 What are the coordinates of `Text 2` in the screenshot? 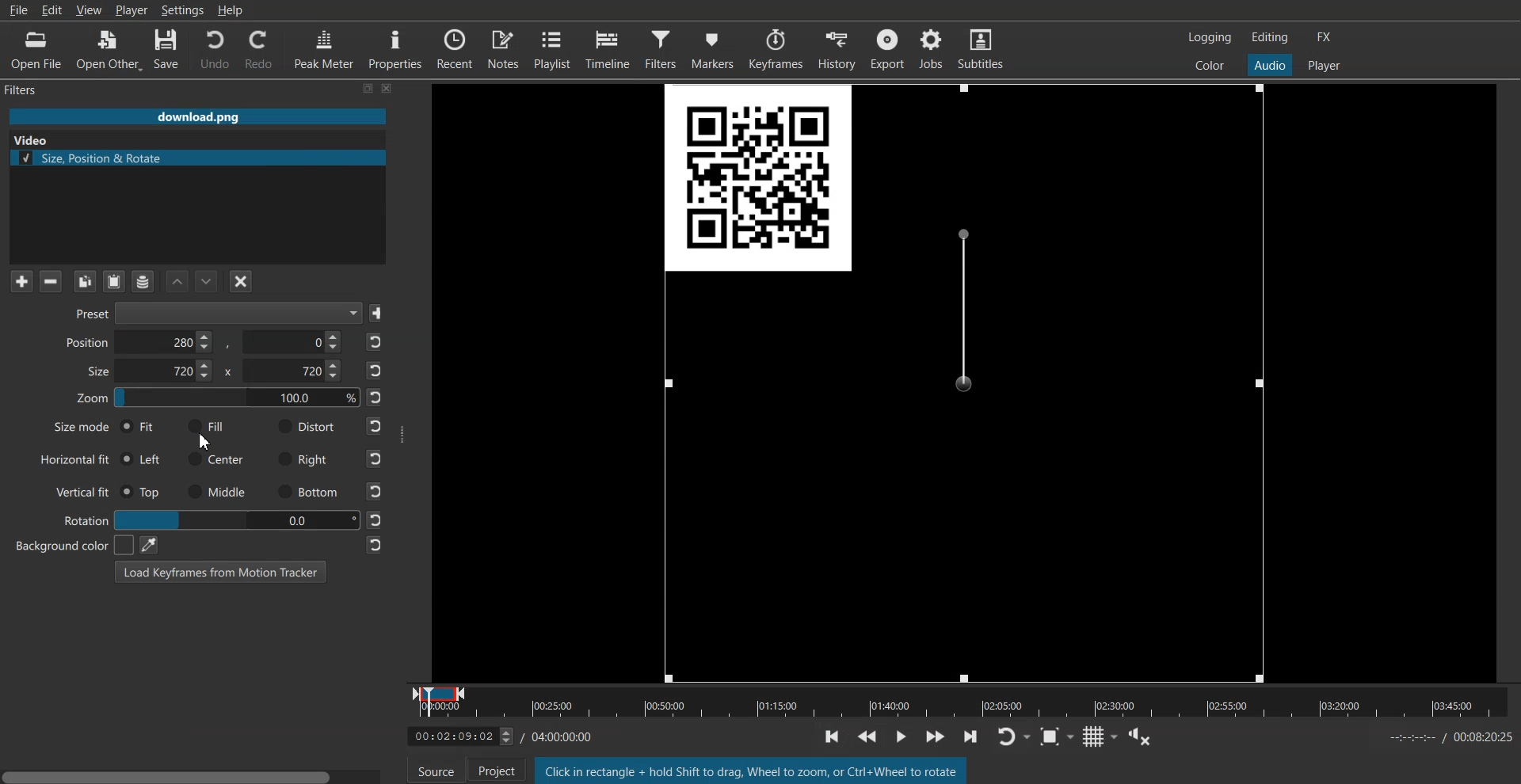 It's located at (29, 140).